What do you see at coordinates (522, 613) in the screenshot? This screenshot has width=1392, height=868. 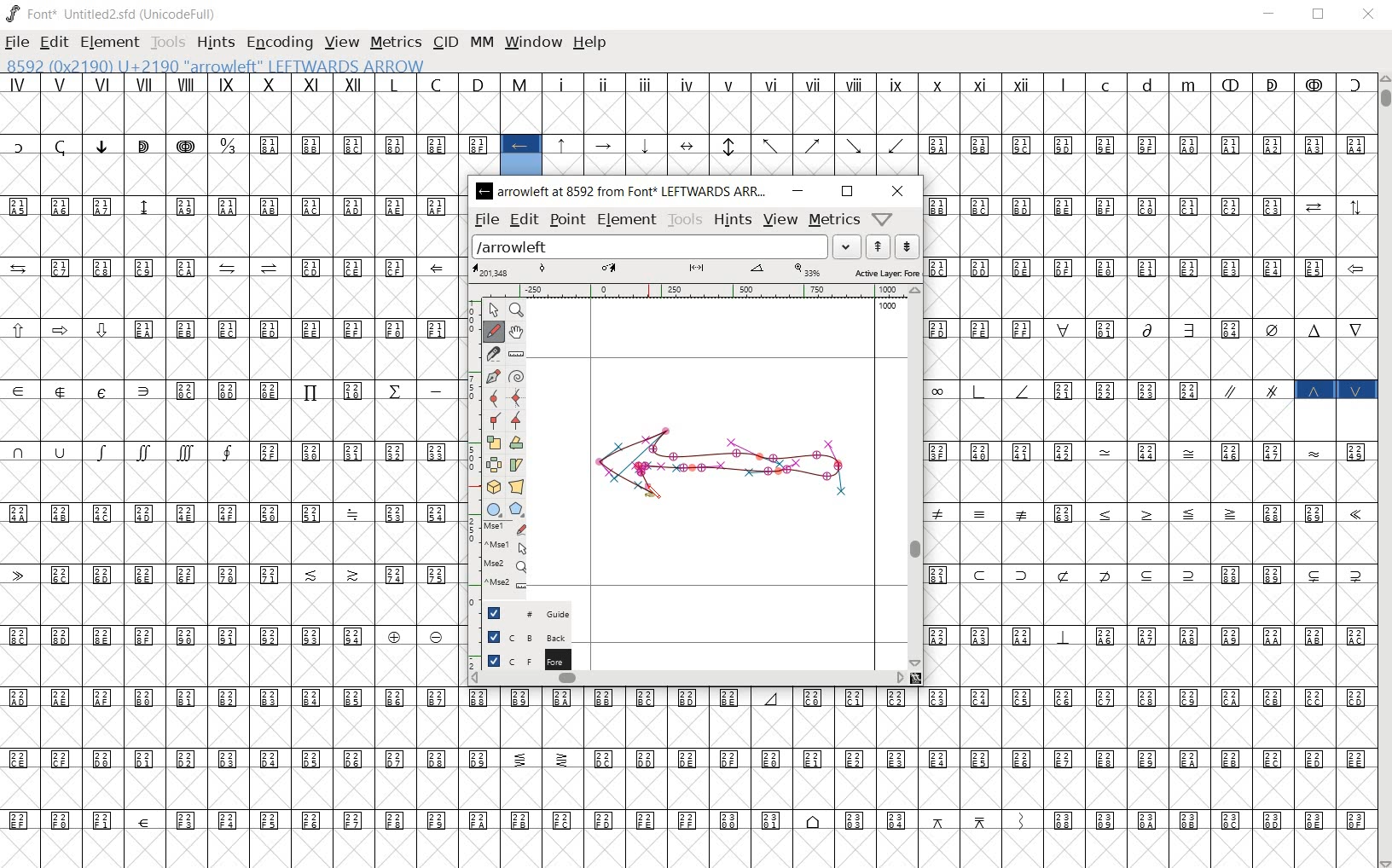 I see `Guide` at bounding box center [522, 613].